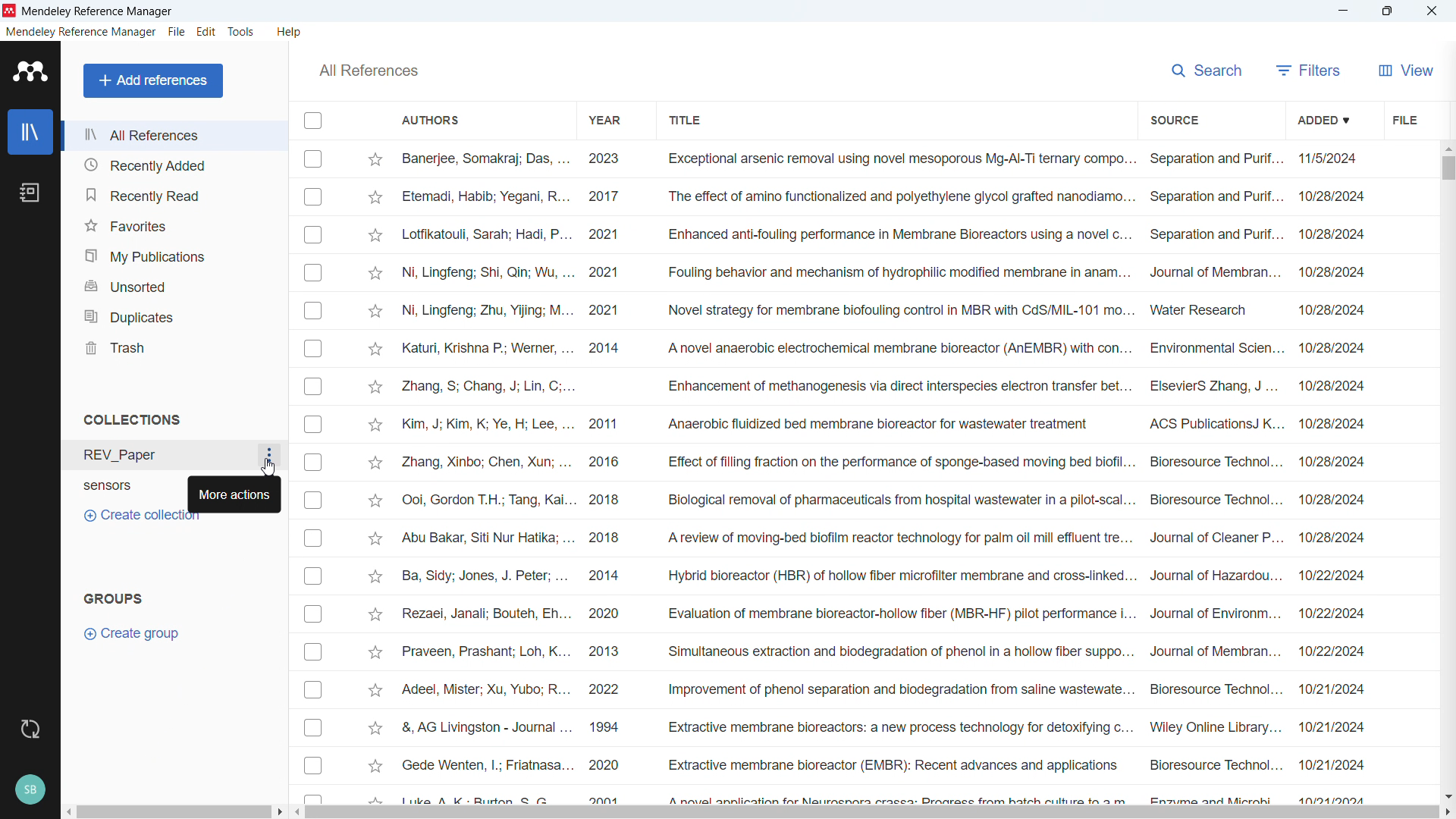  I want to click on Library, so click(30, 131).